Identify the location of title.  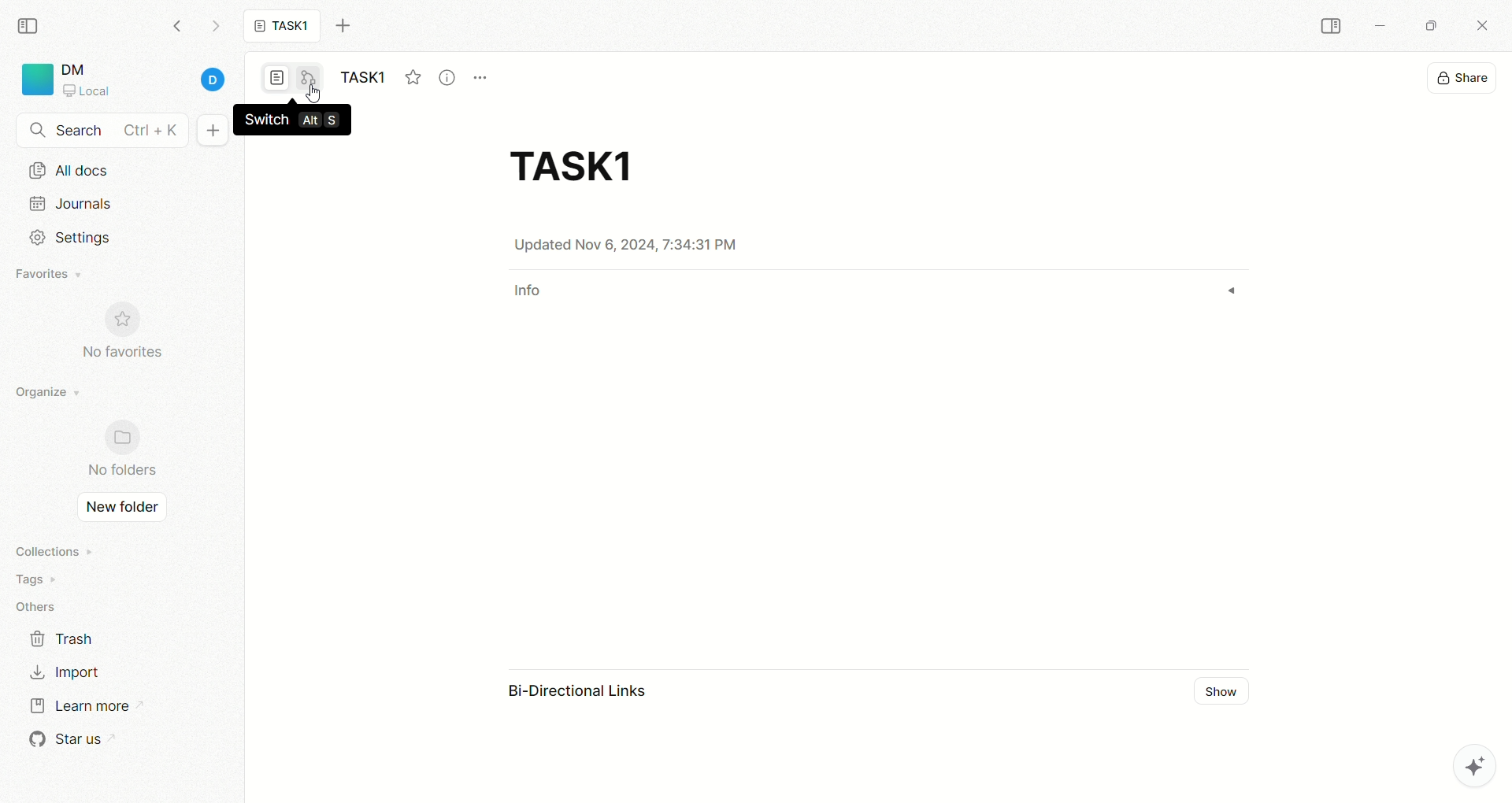
(579, 165).